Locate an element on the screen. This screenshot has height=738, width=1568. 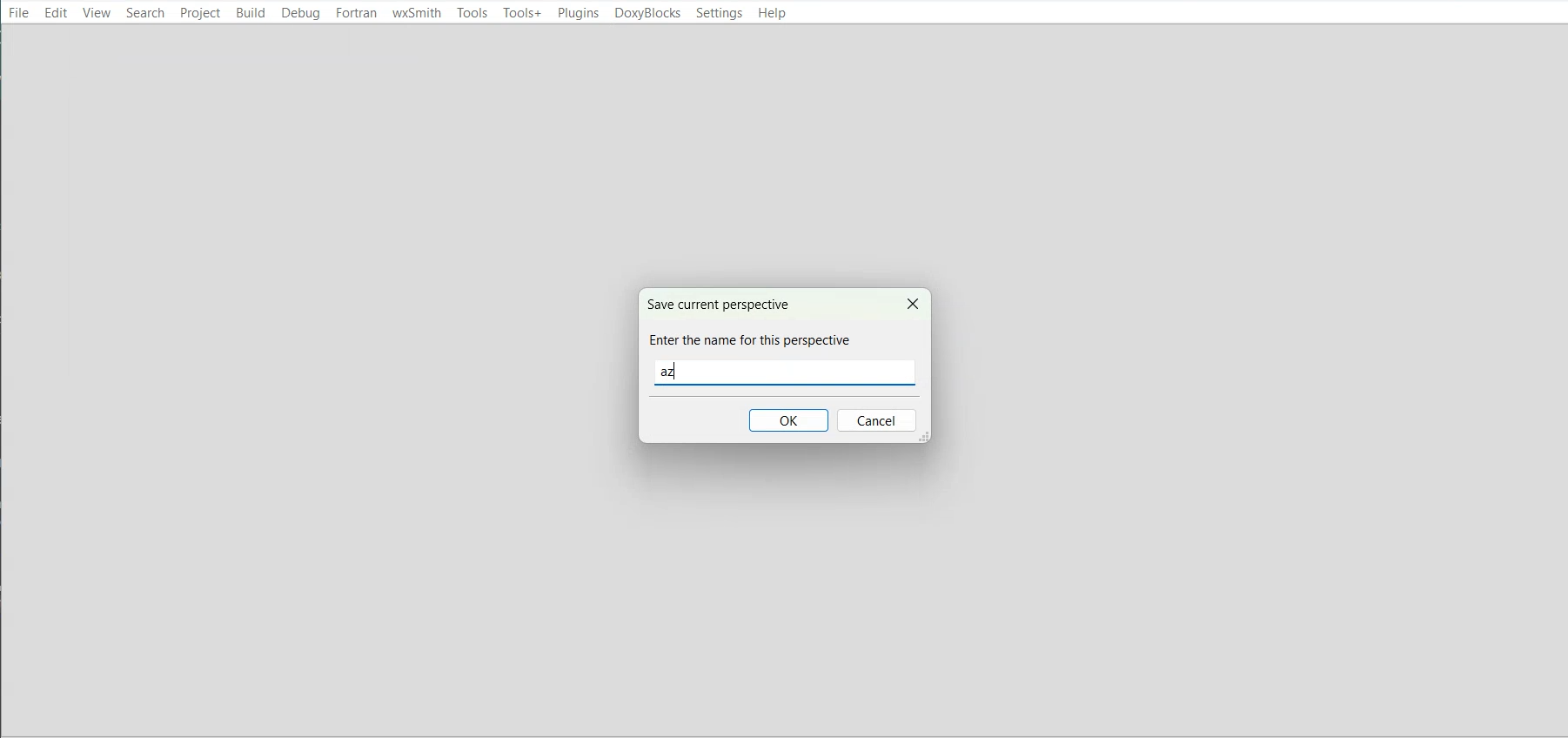
Debug is located at coordinates (302, 13).